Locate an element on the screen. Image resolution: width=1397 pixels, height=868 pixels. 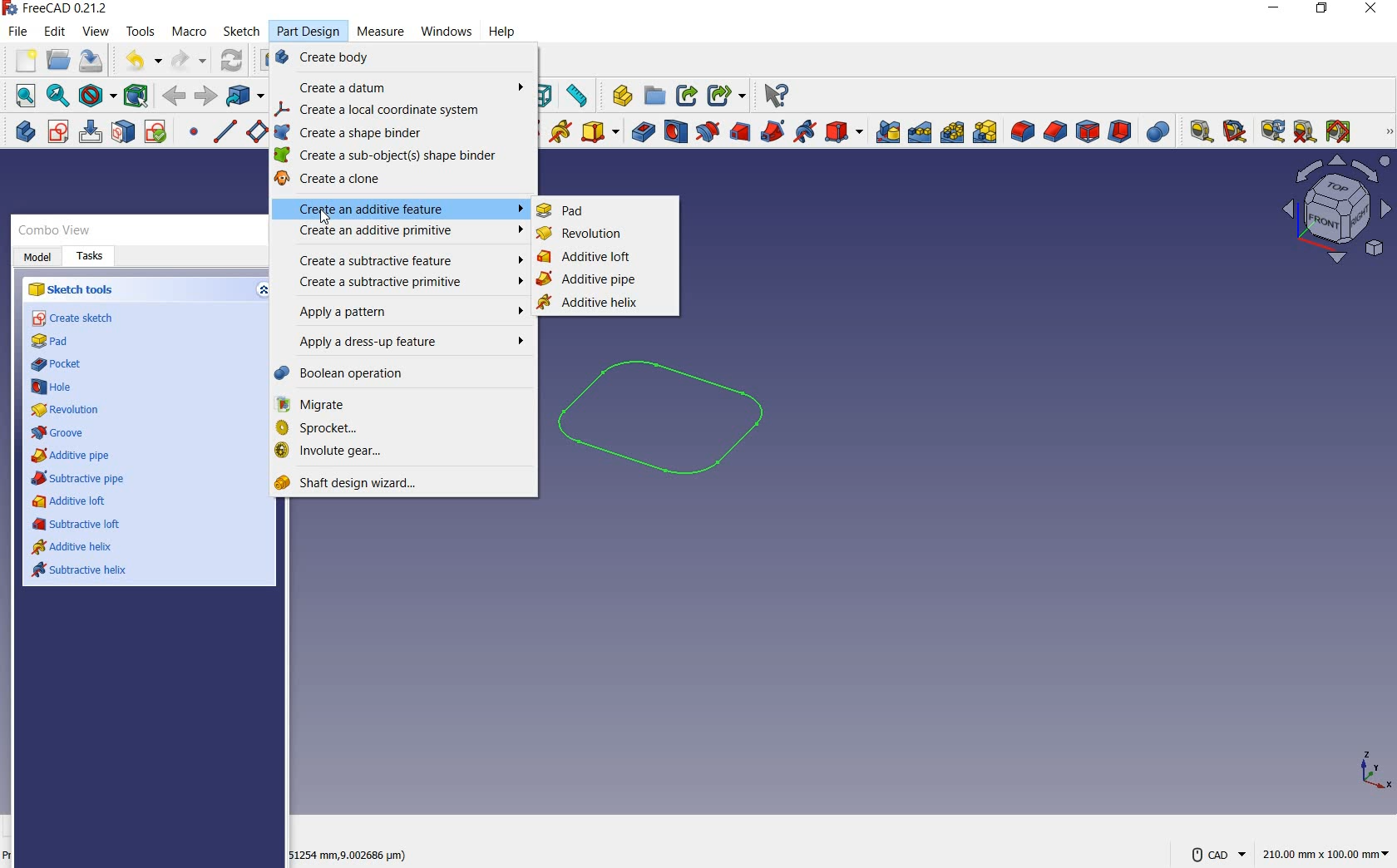
create a sub-object shape binder is located at coordinates (392, 157).